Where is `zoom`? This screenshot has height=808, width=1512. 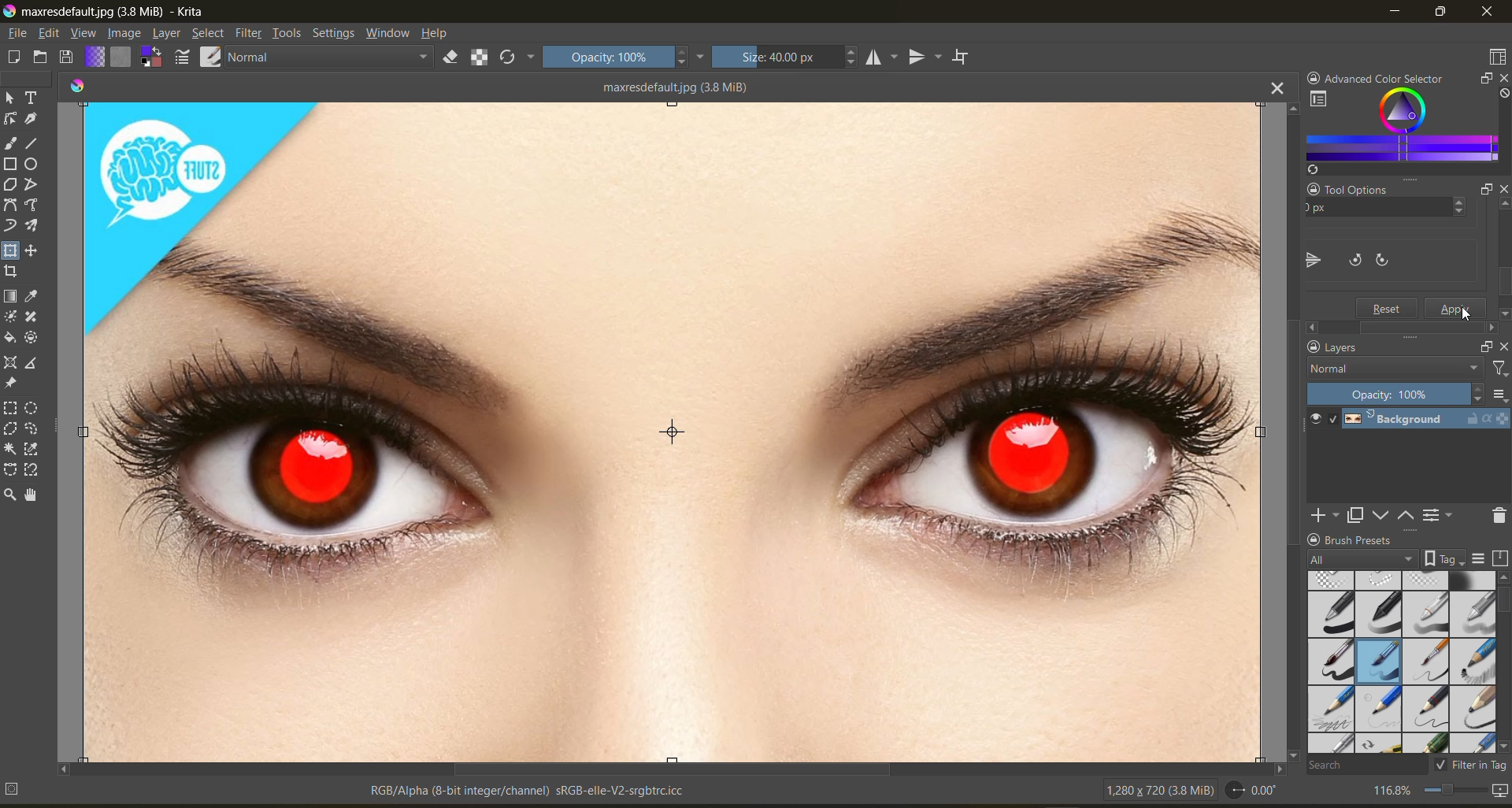 zoom is located at coordinates (1459, 788).